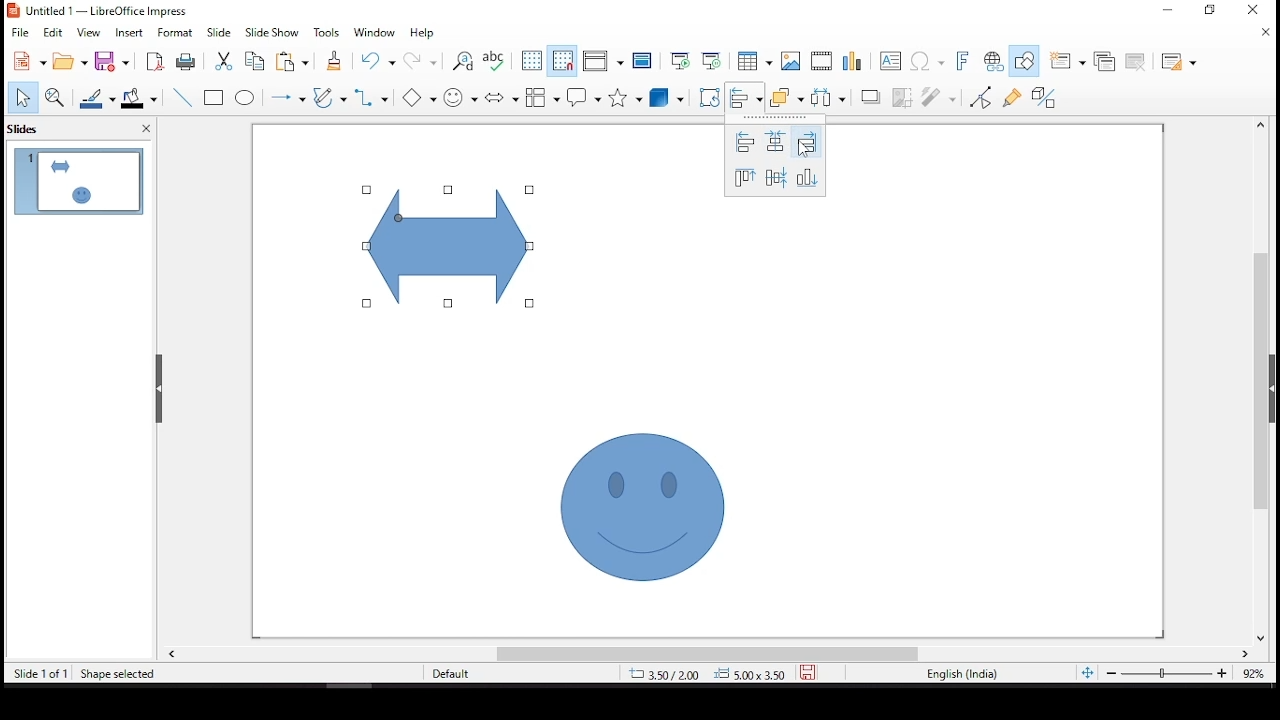 Image resolution: width=1280 pixels, height=720 pixels. What do you see at coordinates (1012, 97) in the screenshot?
I see `show gluepoint functions` at bounding box center [1012, 97].